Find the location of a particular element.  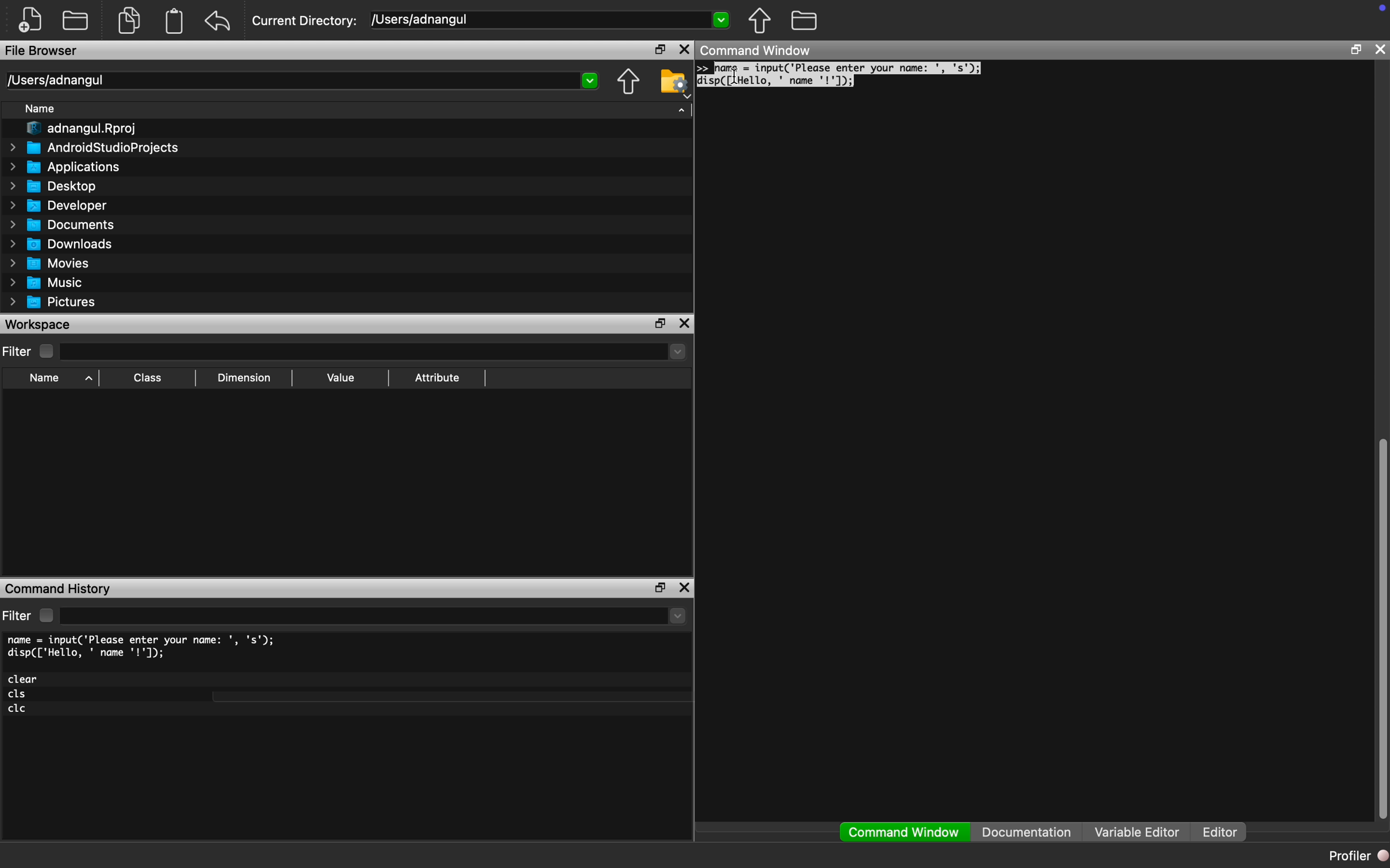

icon is located at coordinates (1382, 7).